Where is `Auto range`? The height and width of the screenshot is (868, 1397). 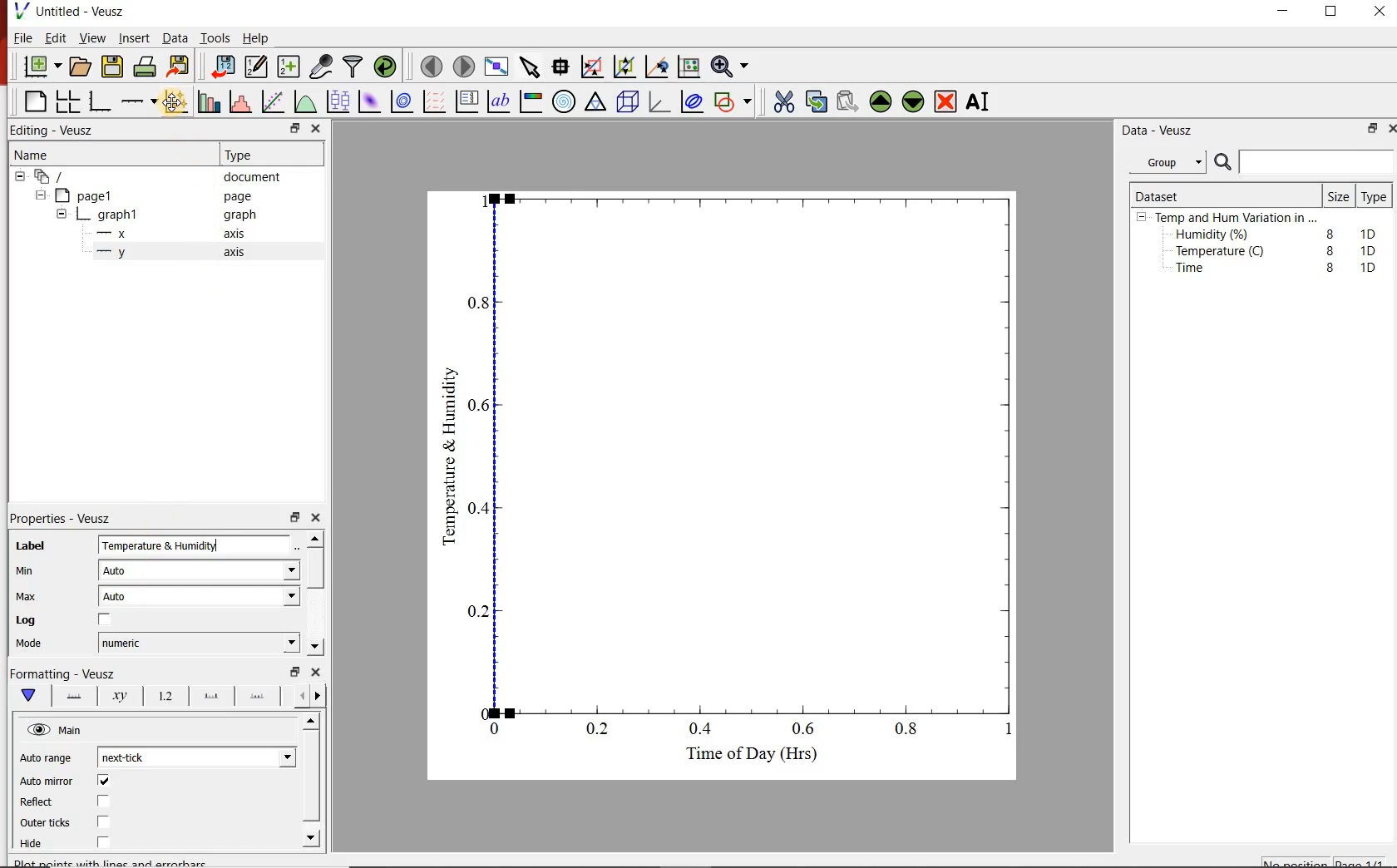 Auto range is located at coordinates (49, 759).